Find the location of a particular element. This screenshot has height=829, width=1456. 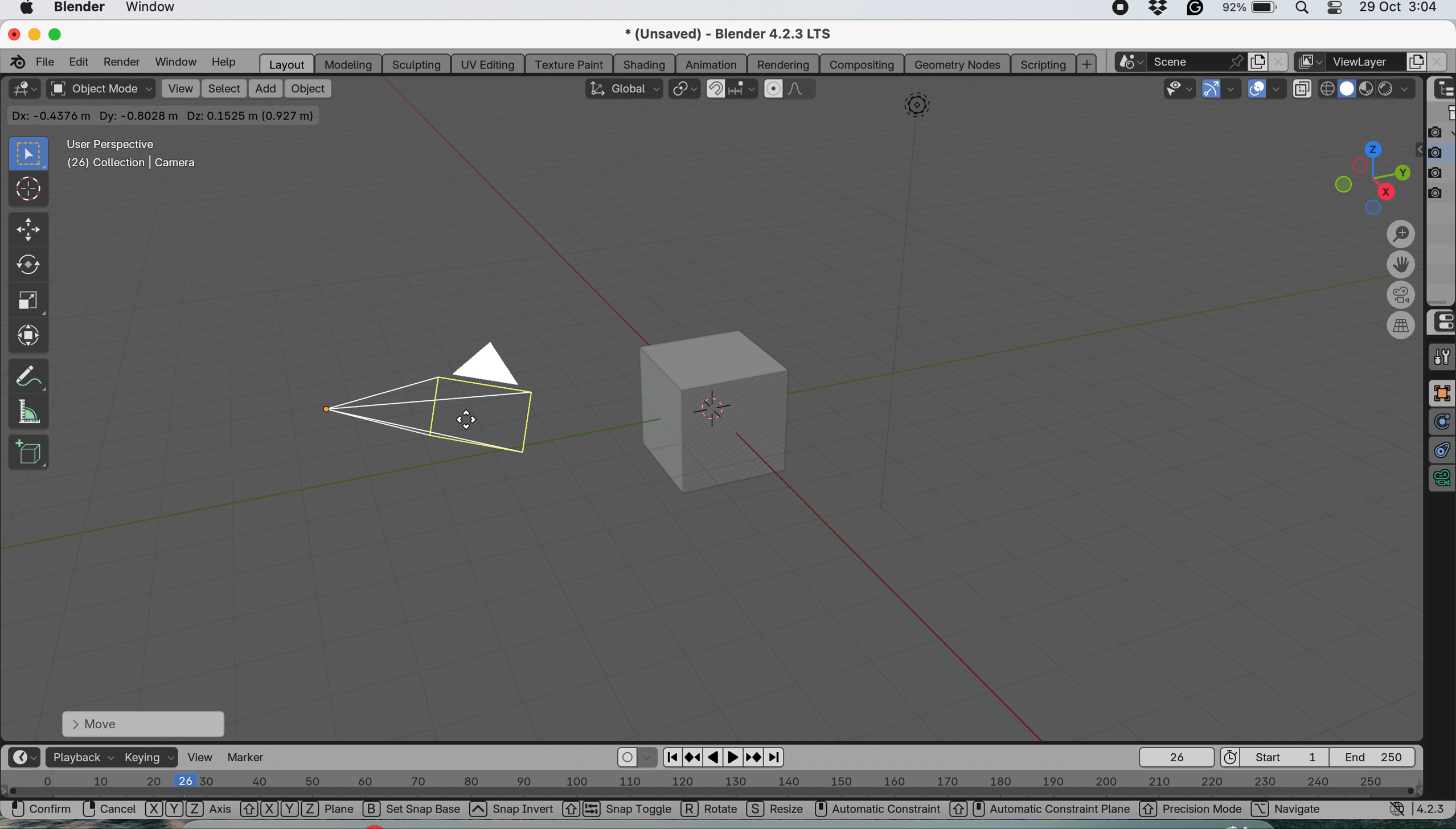

close is located at coordinates (1277, 61).